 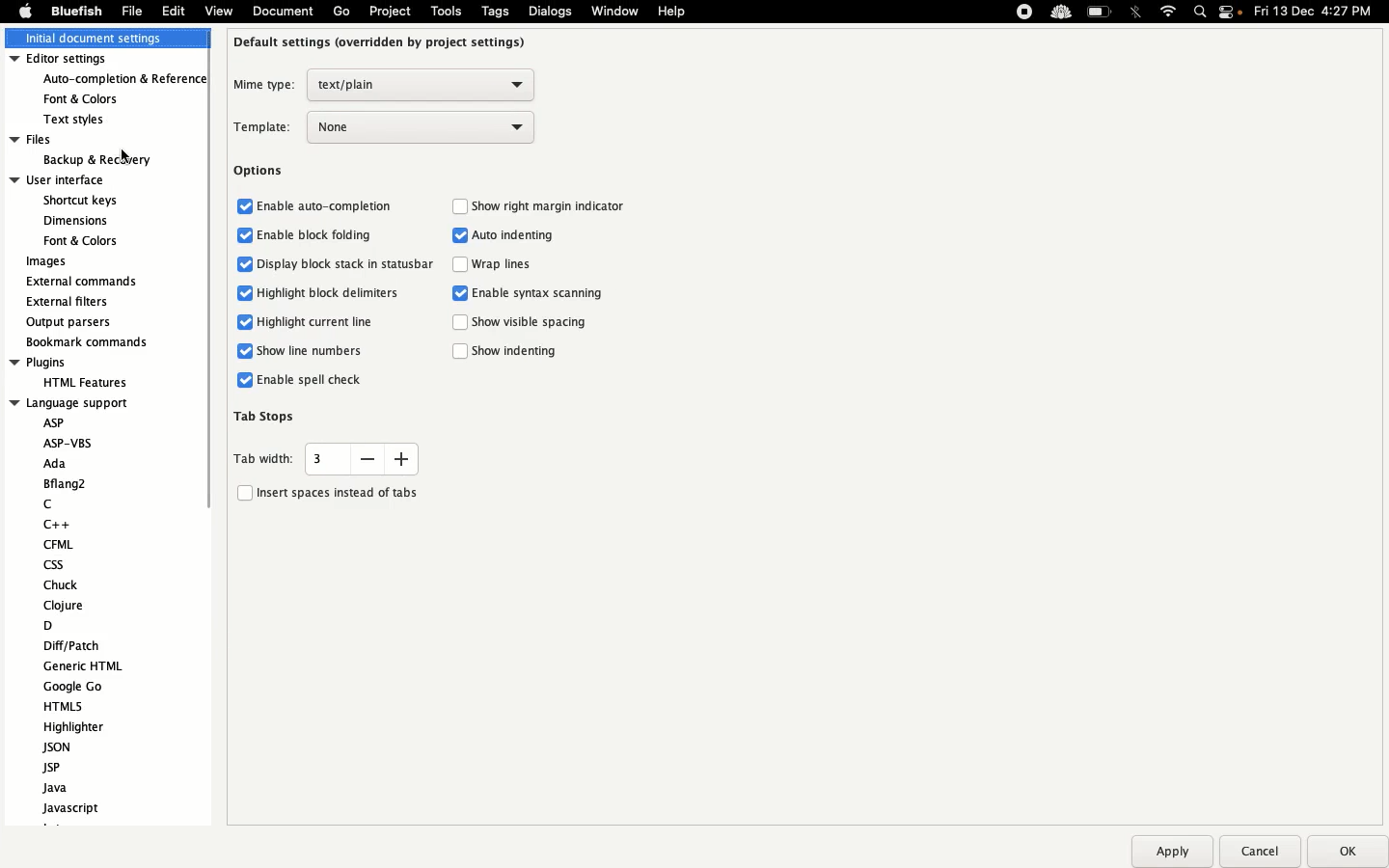 What do you see at coordinates (495, 265) in the screenshot?
I see `Wrap lines` at bounding box center [495, 265].